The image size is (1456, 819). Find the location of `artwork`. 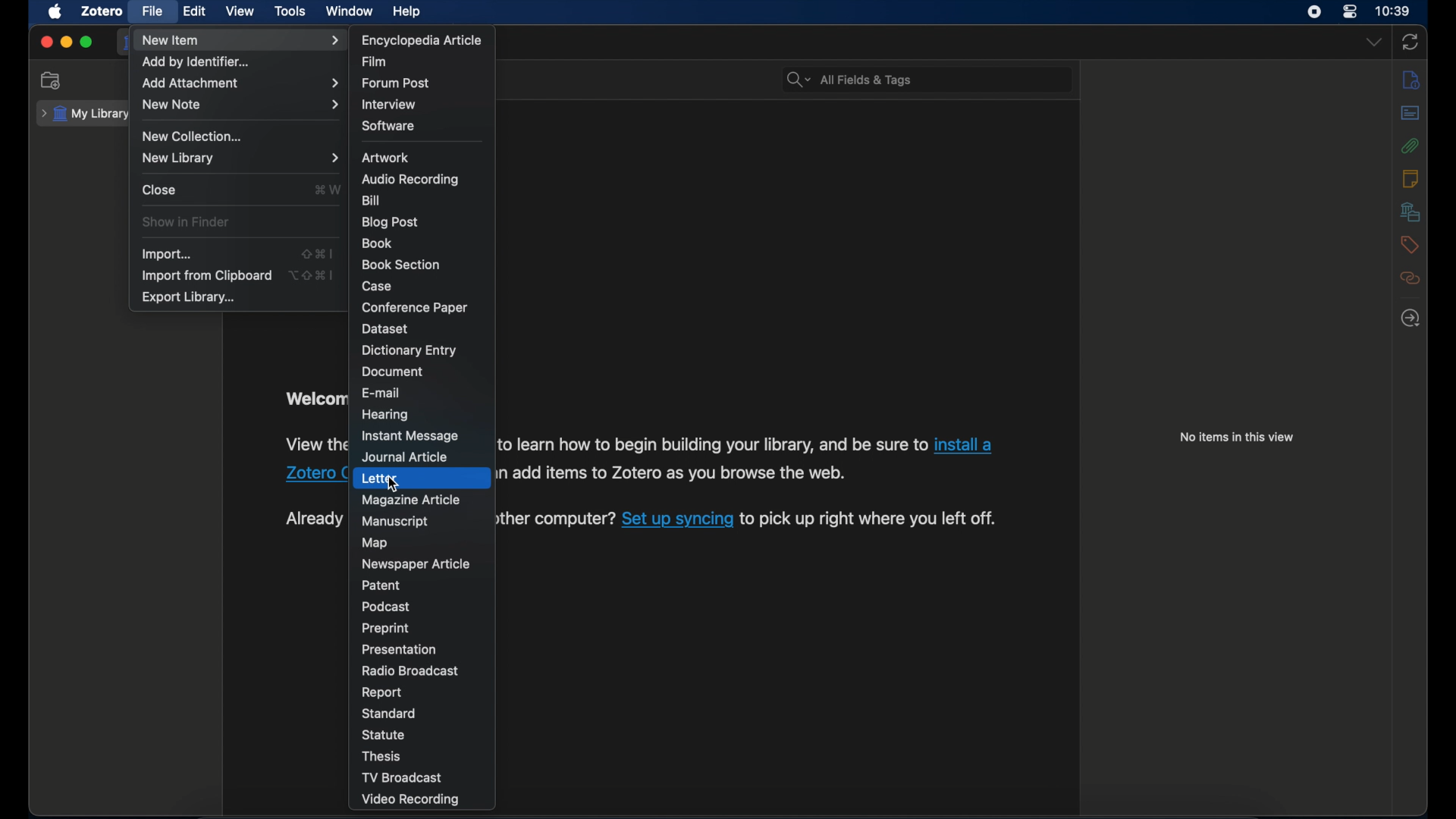

artwork is located at coordinates (385, 158).